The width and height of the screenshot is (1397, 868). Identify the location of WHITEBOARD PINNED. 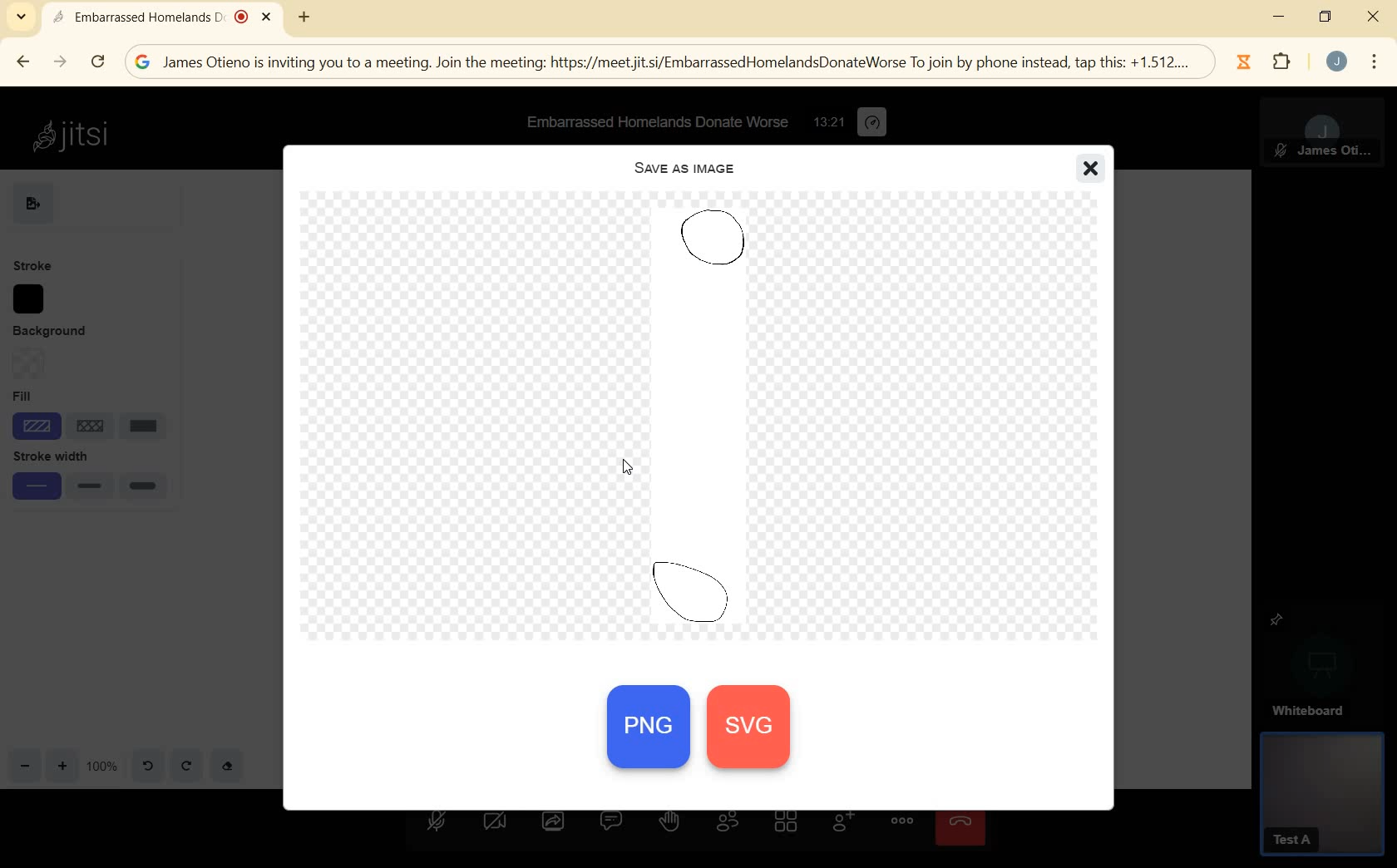
(1325, 661).